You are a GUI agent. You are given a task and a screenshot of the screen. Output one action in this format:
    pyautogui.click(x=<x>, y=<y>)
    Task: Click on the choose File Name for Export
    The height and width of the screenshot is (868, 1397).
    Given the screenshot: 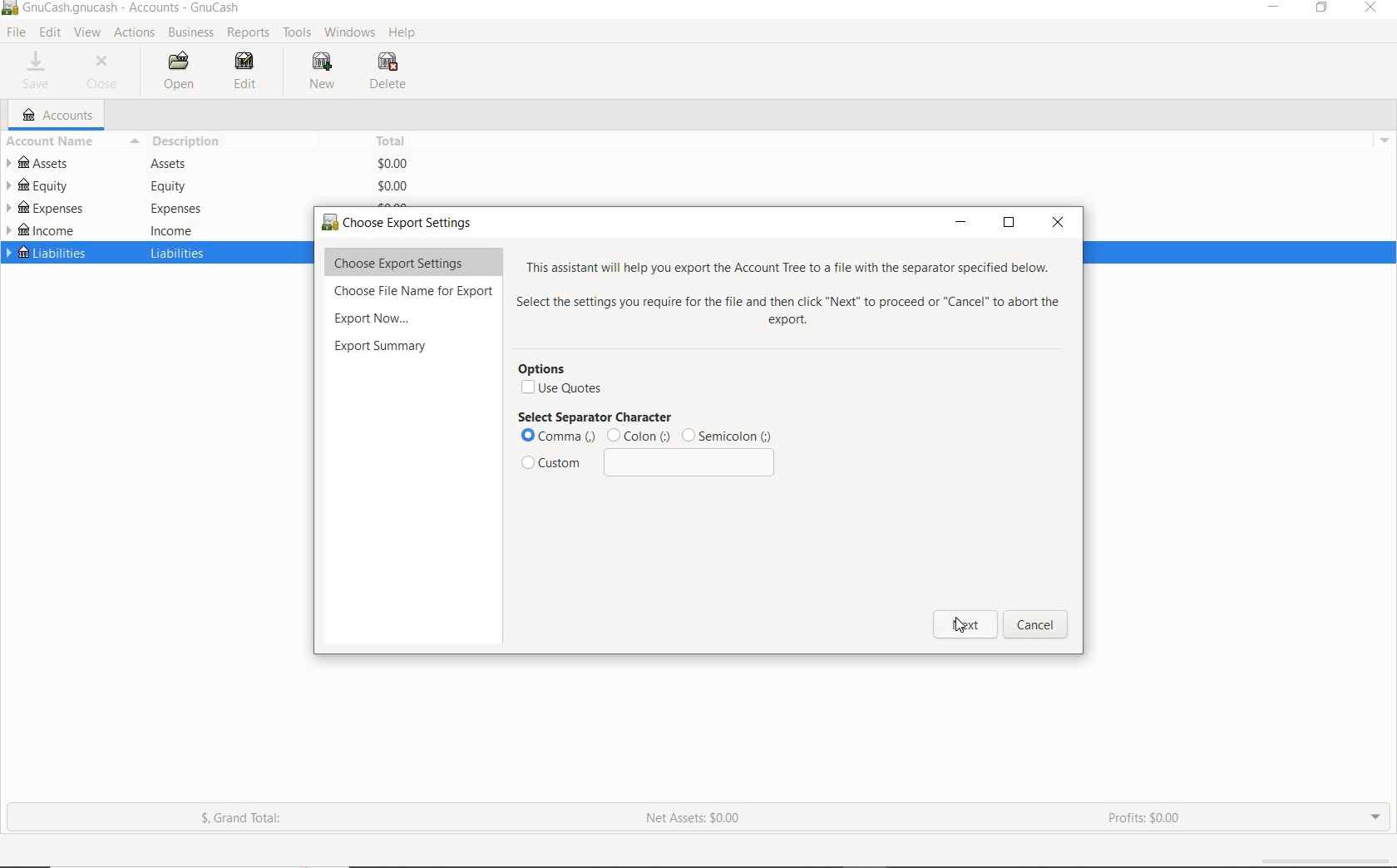 What is the action you would take?
    pyautogui.click(x=410, y=291)
    